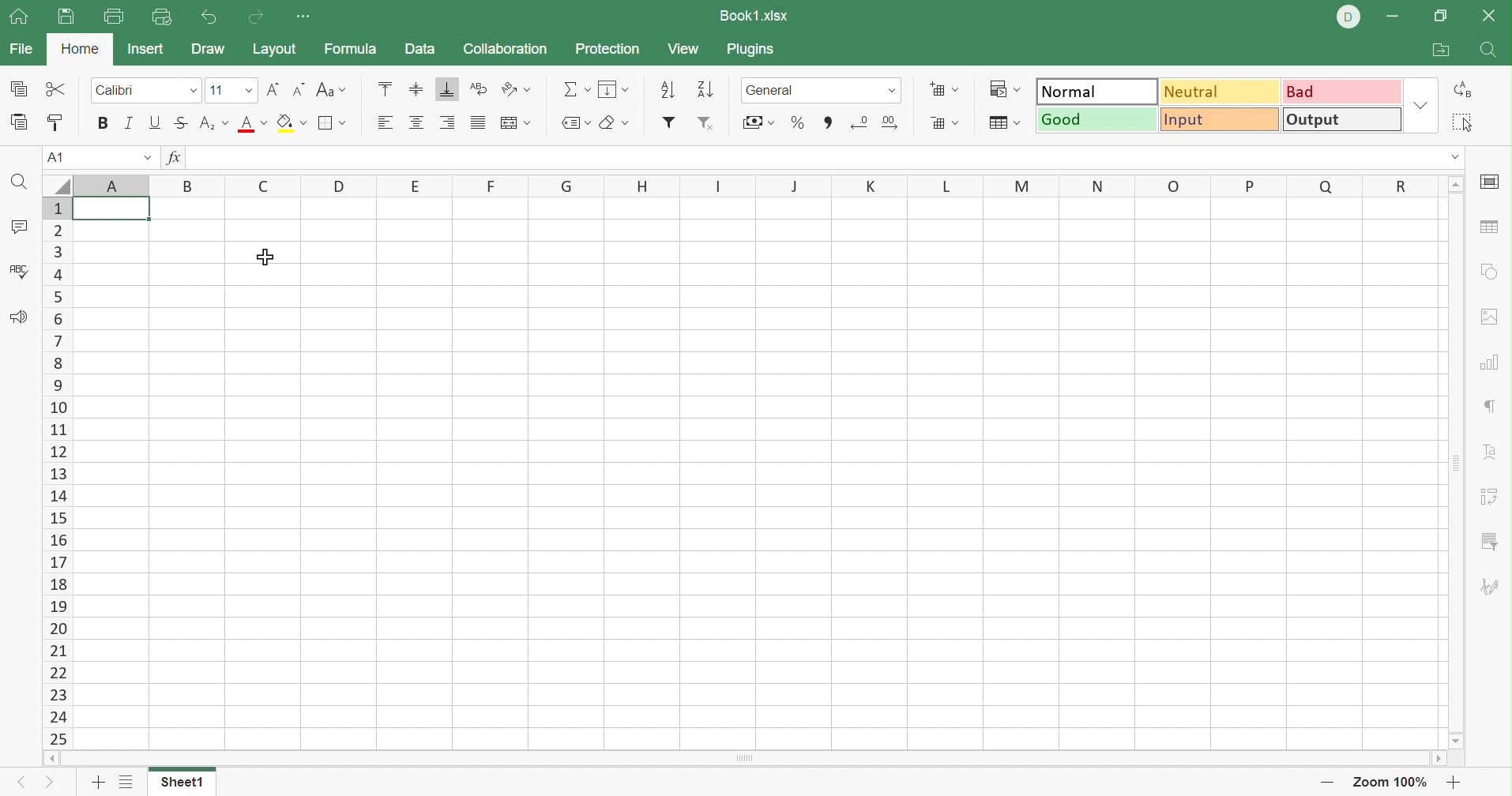 This screenshot has height=796, width=1512. I want to click on Show main window, so click(18, 15).